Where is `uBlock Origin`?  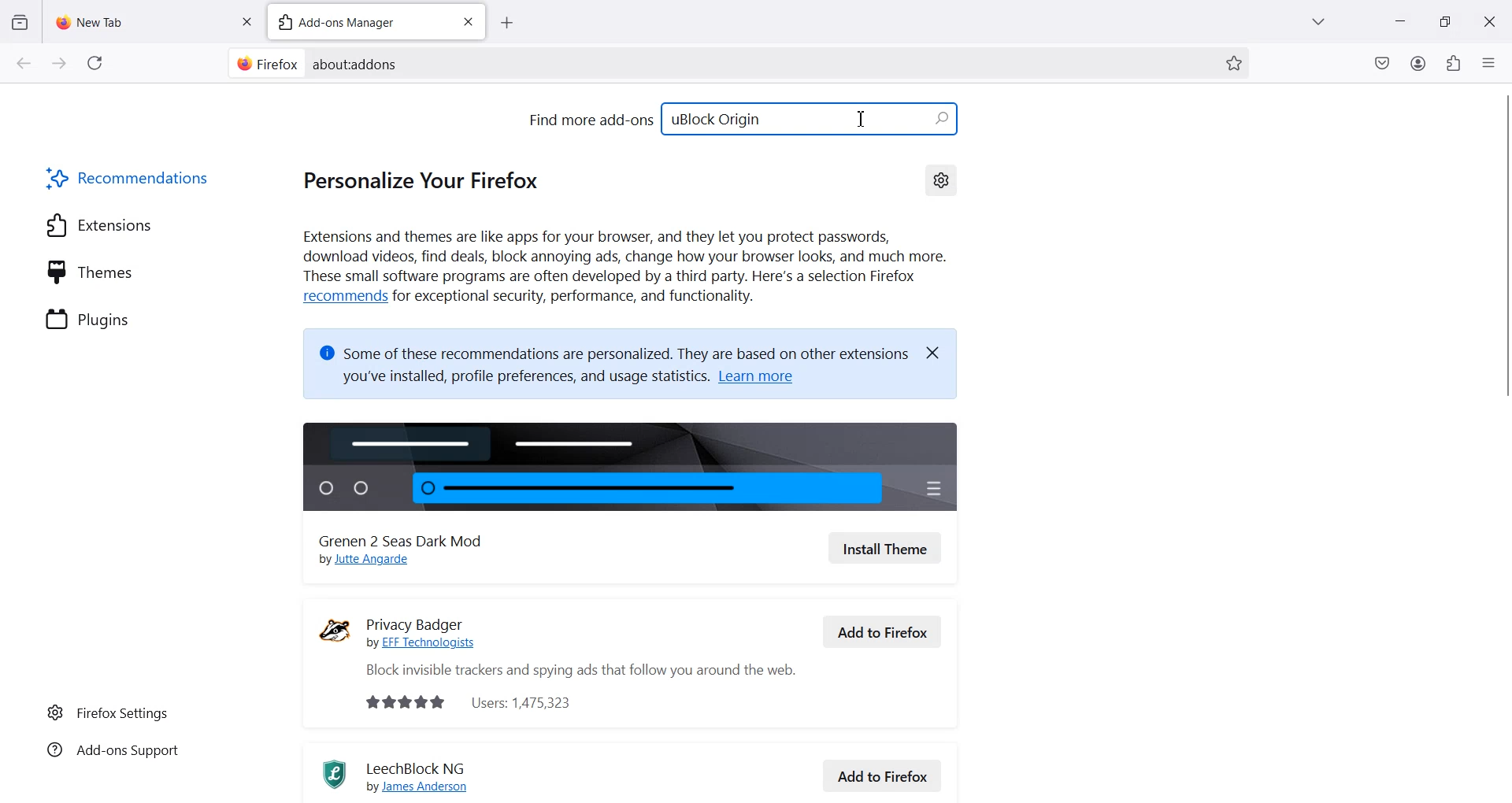 uBlock Origin is located at coordinates (812, 119).